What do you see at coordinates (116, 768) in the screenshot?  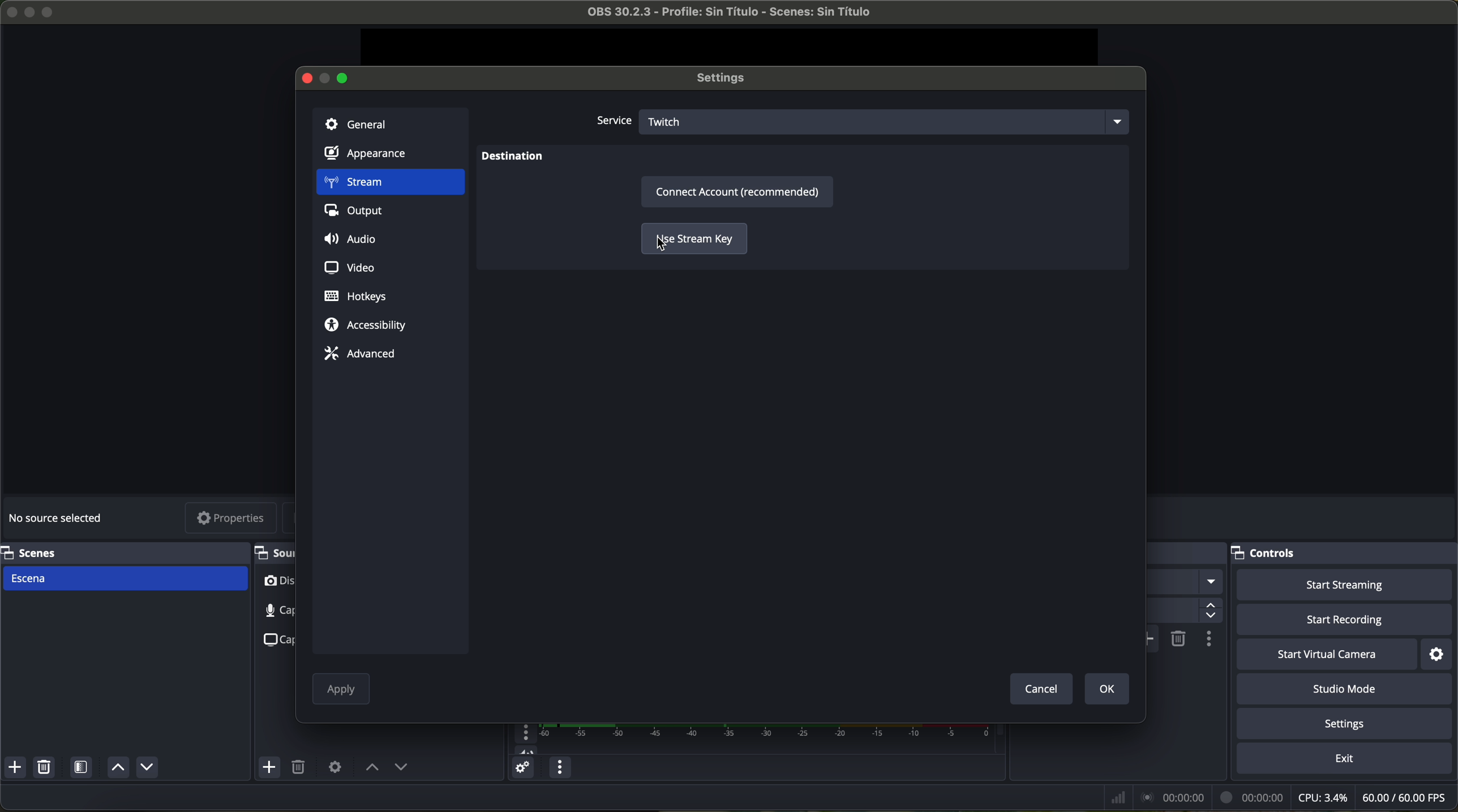 I see `move source up` at bounding box center [116, 768].